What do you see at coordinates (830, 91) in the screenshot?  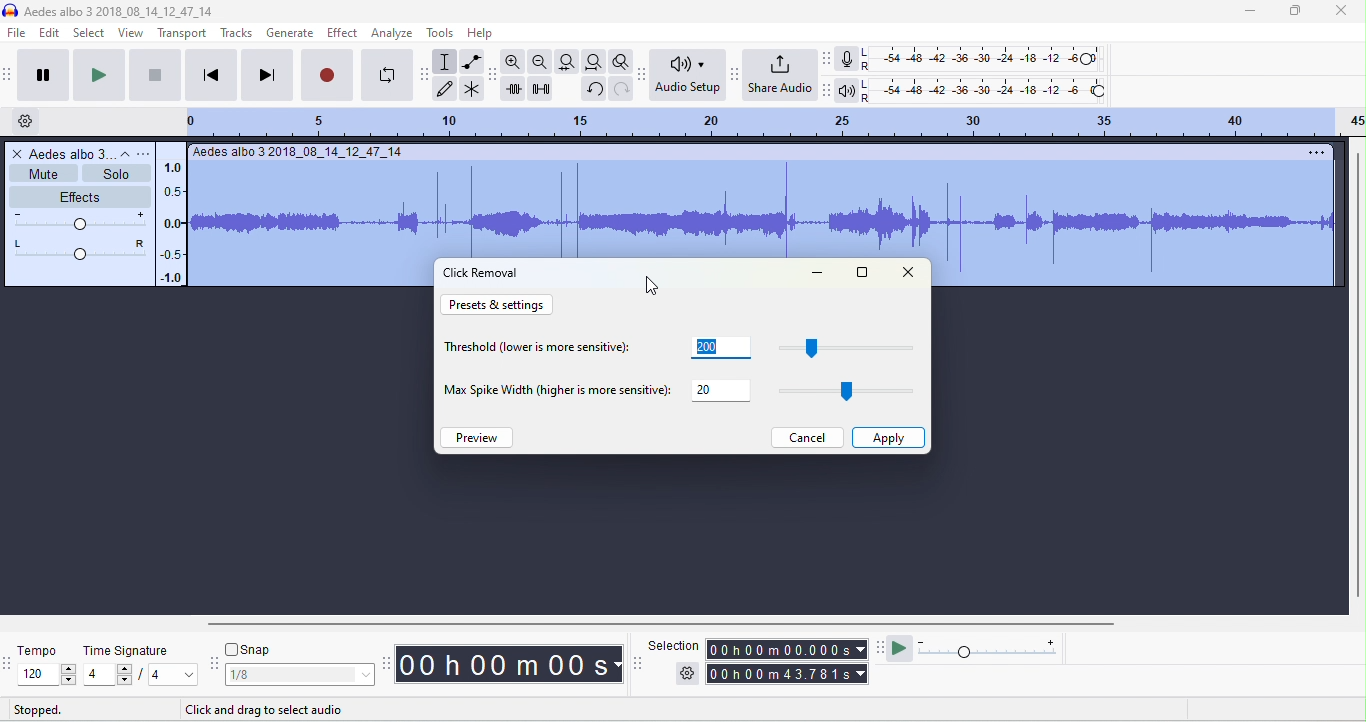 I see `playback meter toolbar` at bounding box center [830, 91].